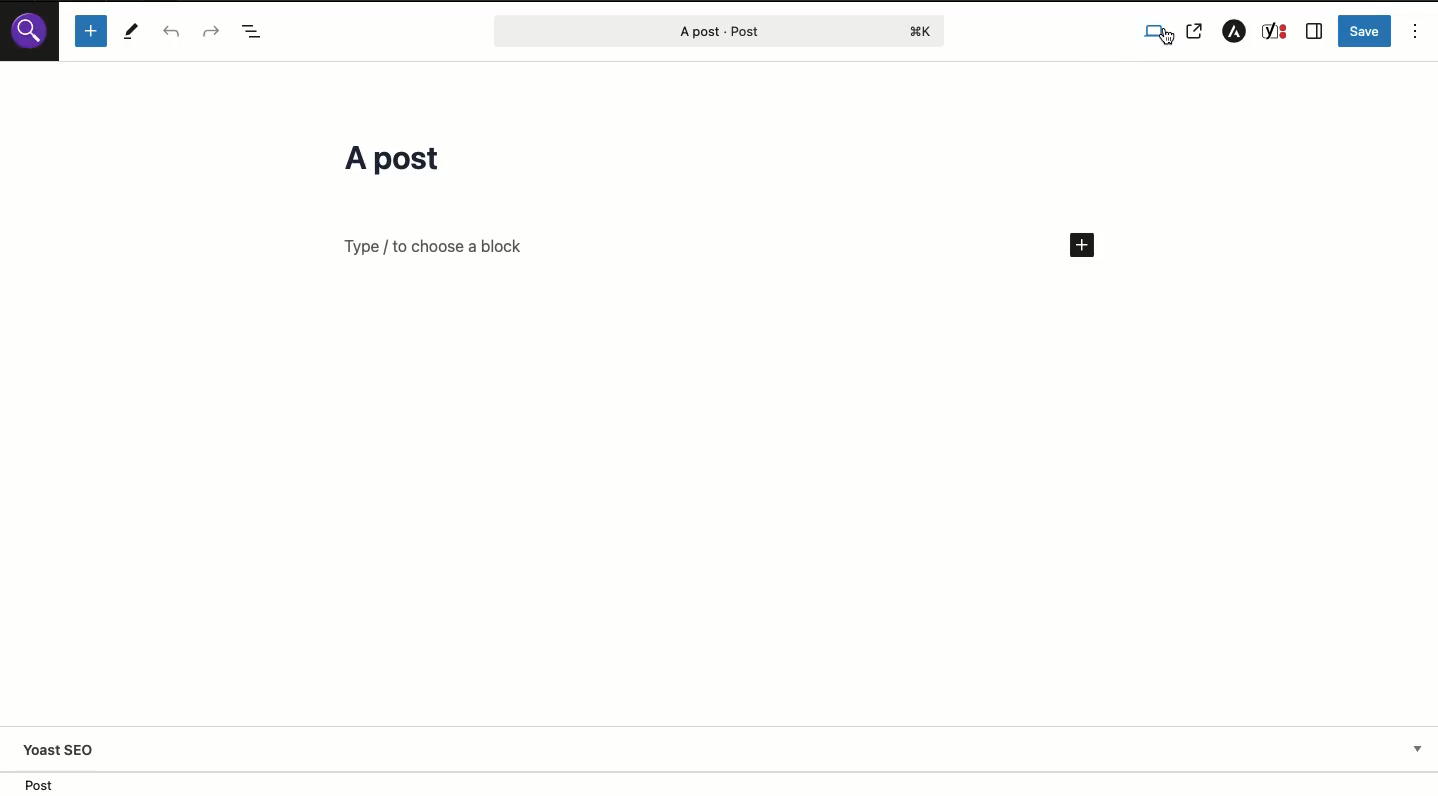 The height and width of the screenshot is (796, 1438). I want to click on Text, so click(427, 258).